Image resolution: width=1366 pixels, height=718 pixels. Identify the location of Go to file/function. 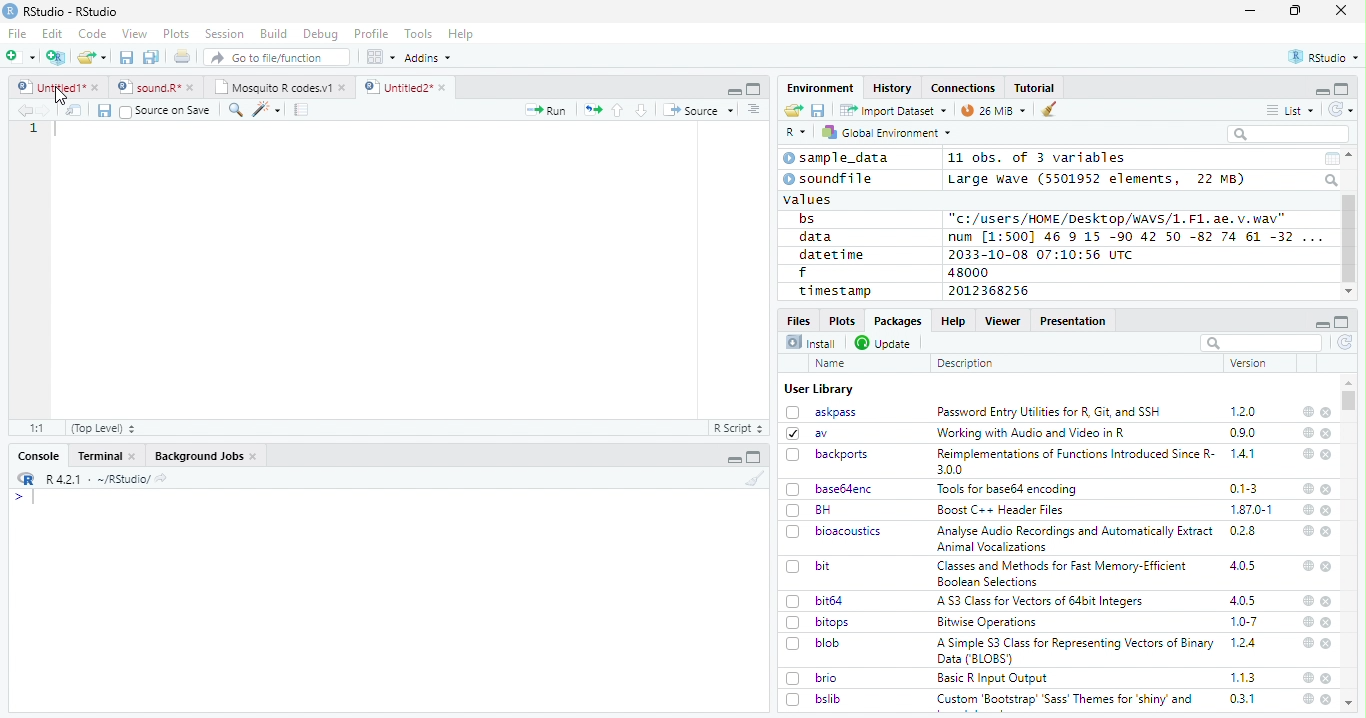
(278, 57).